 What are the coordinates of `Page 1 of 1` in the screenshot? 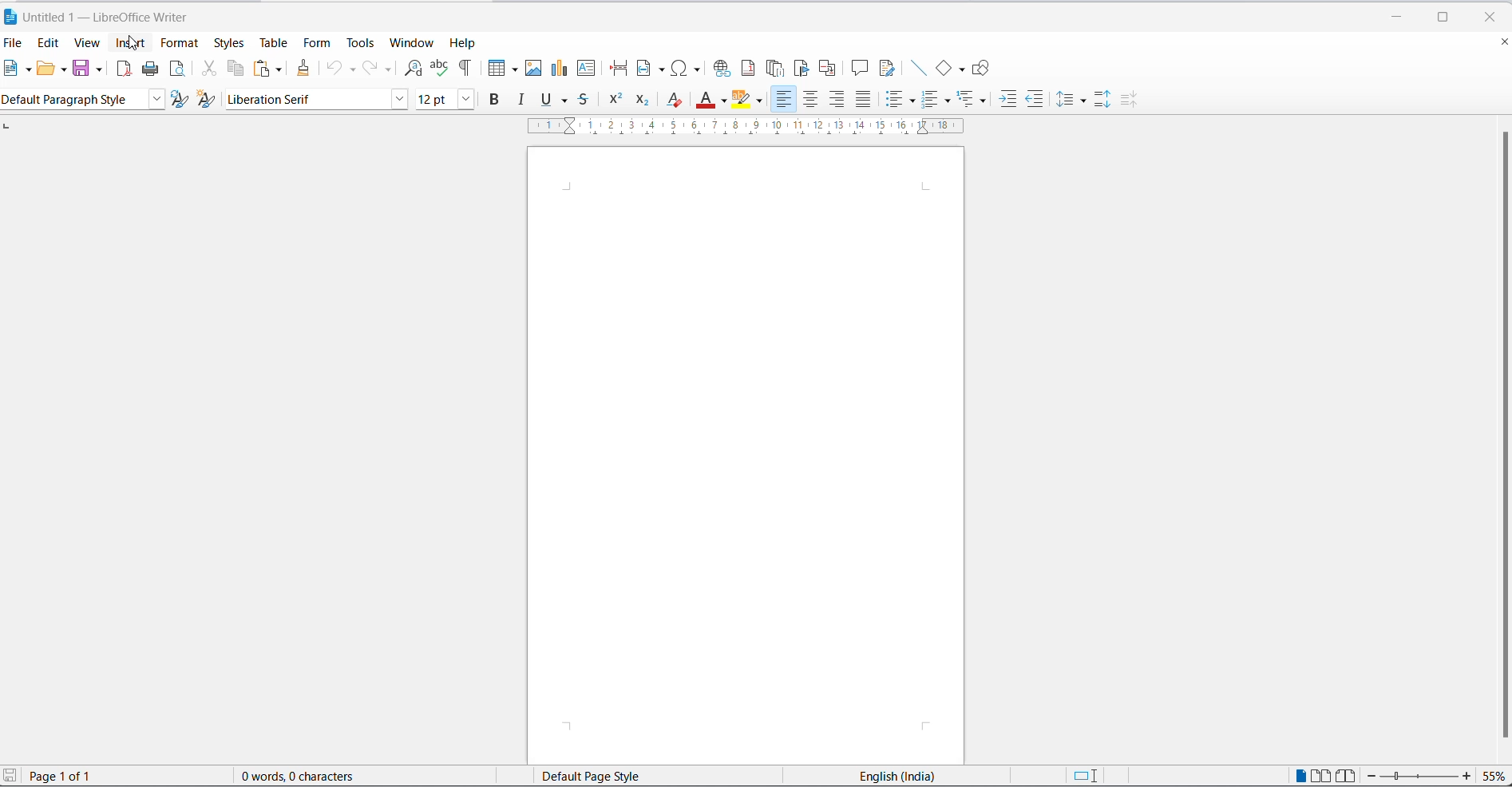 It's located at (86, 776).